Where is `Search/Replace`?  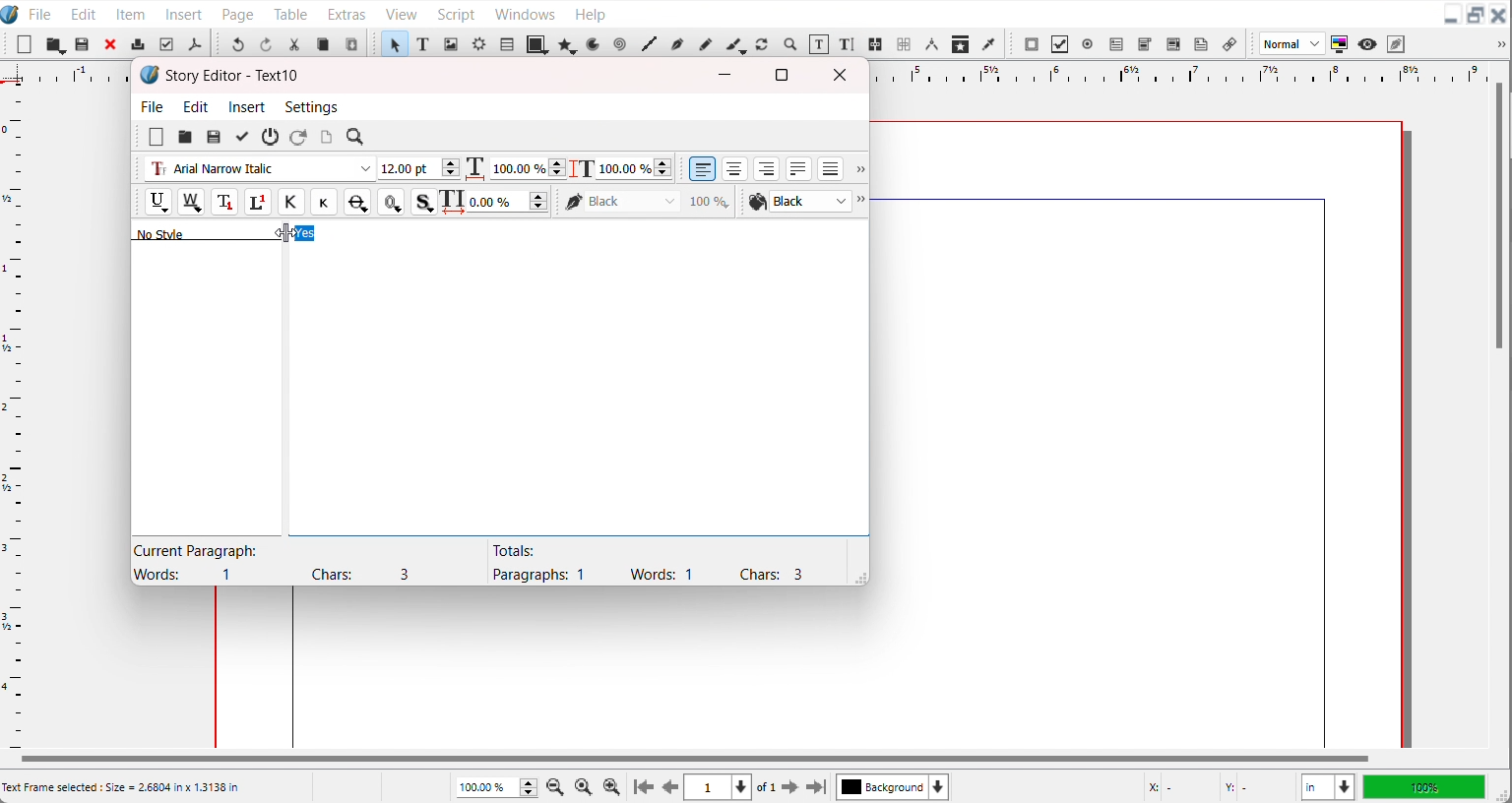 Search/Replace is located at coordinates (357, 138).